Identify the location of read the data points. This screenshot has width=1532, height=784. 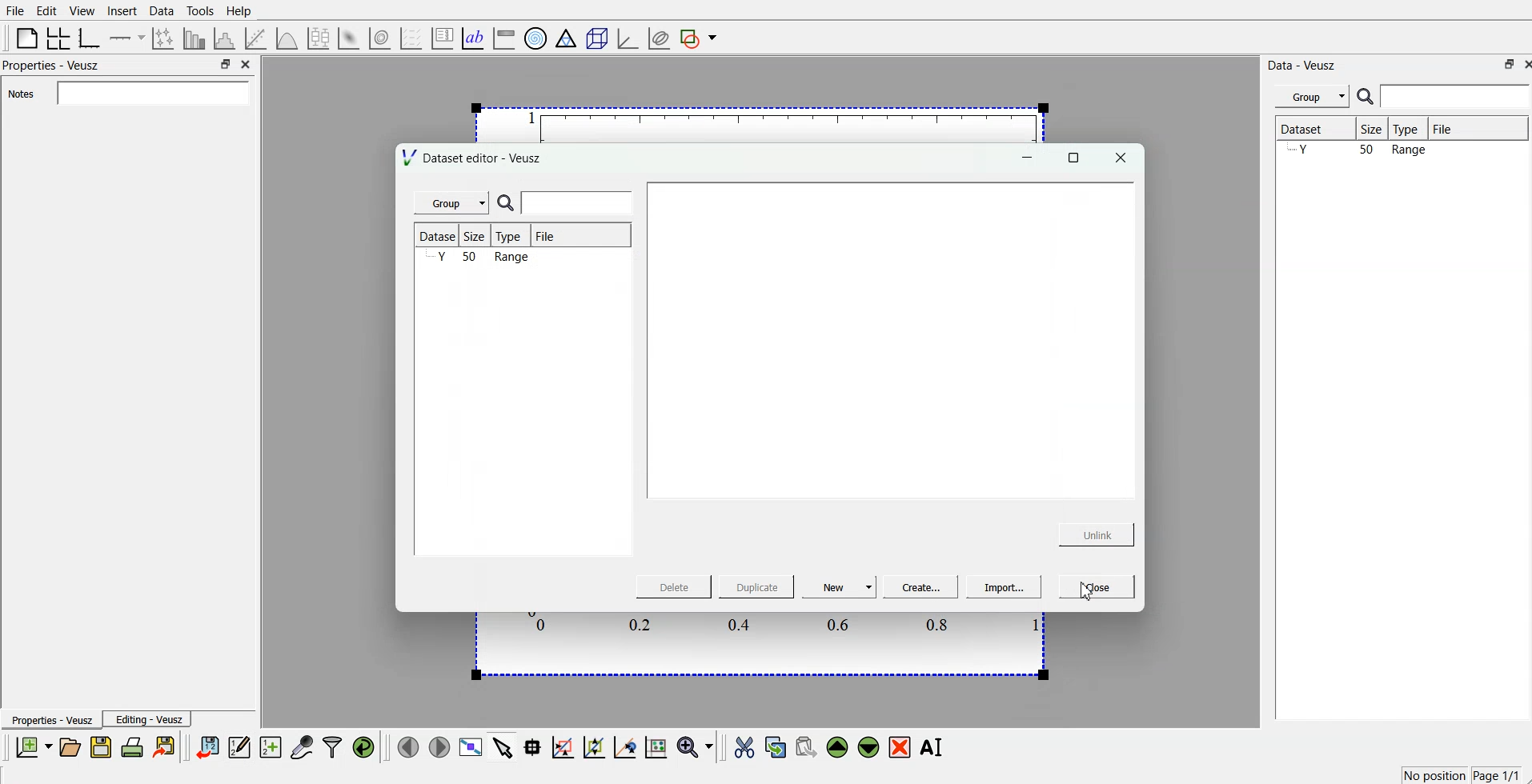
(535, 749).